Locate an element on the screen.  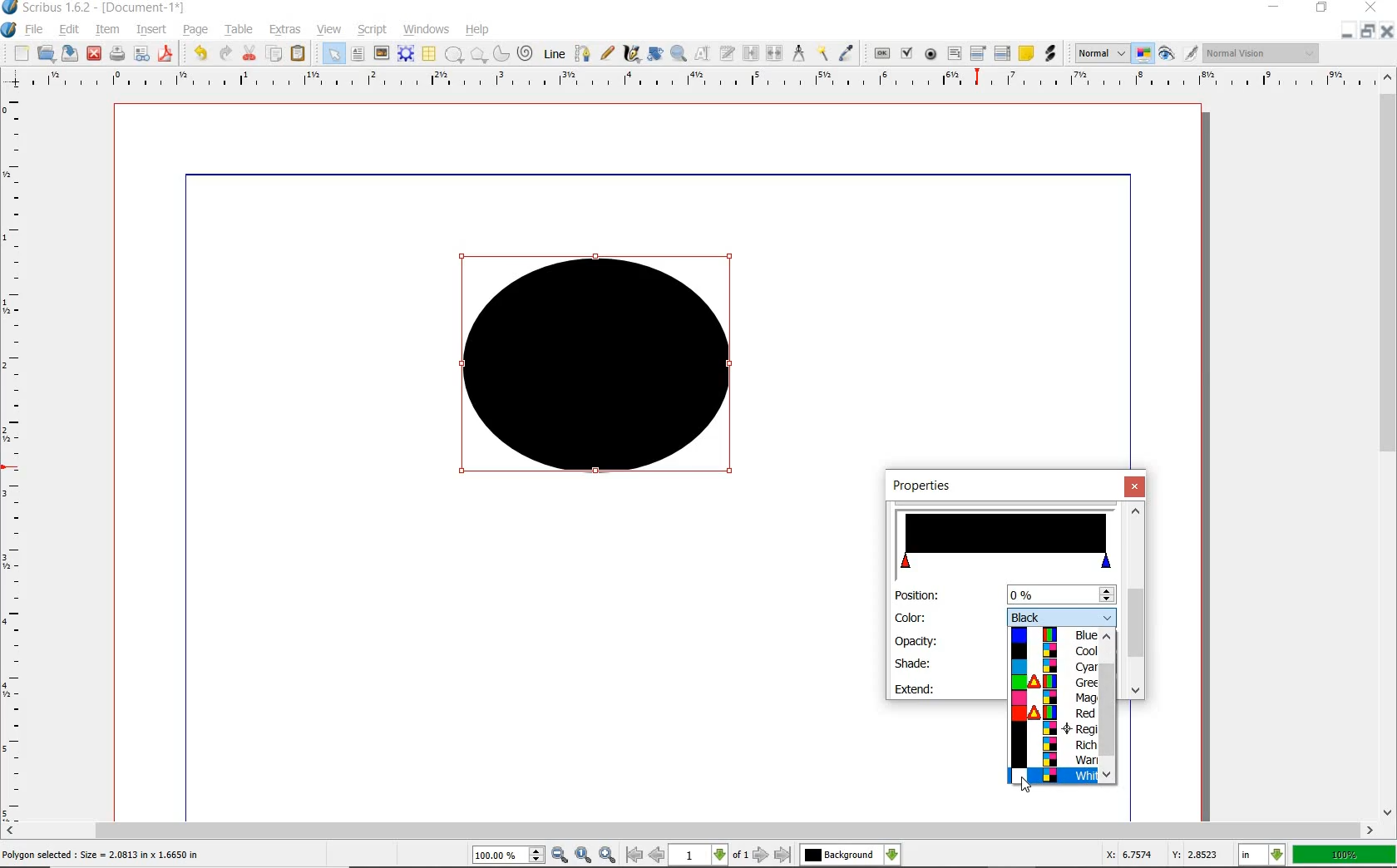
cursor is located at coordinates (1024, 785).